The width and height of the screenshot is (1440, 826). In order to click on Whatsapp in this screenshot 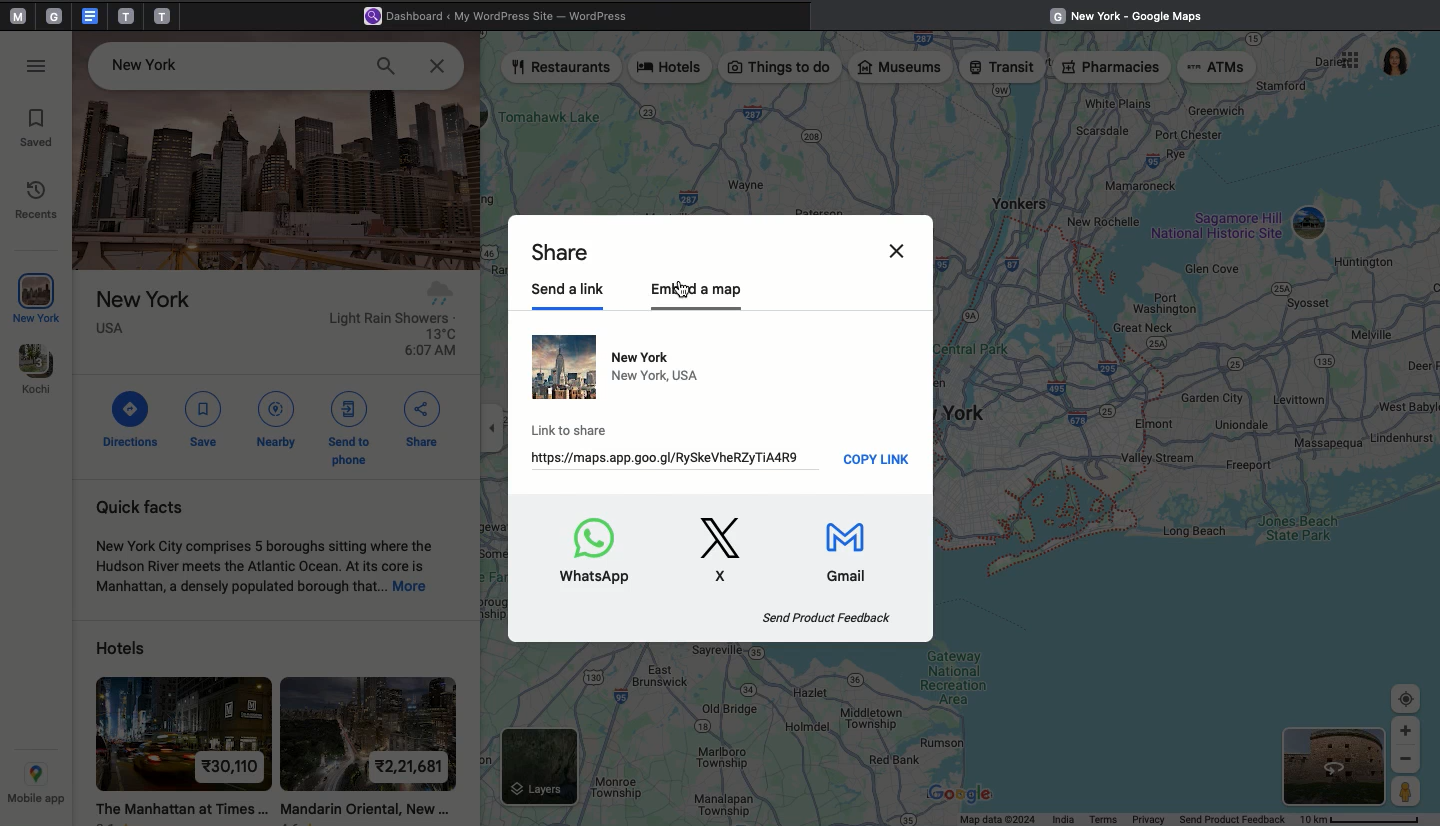, I will do `click(598, 552)`.